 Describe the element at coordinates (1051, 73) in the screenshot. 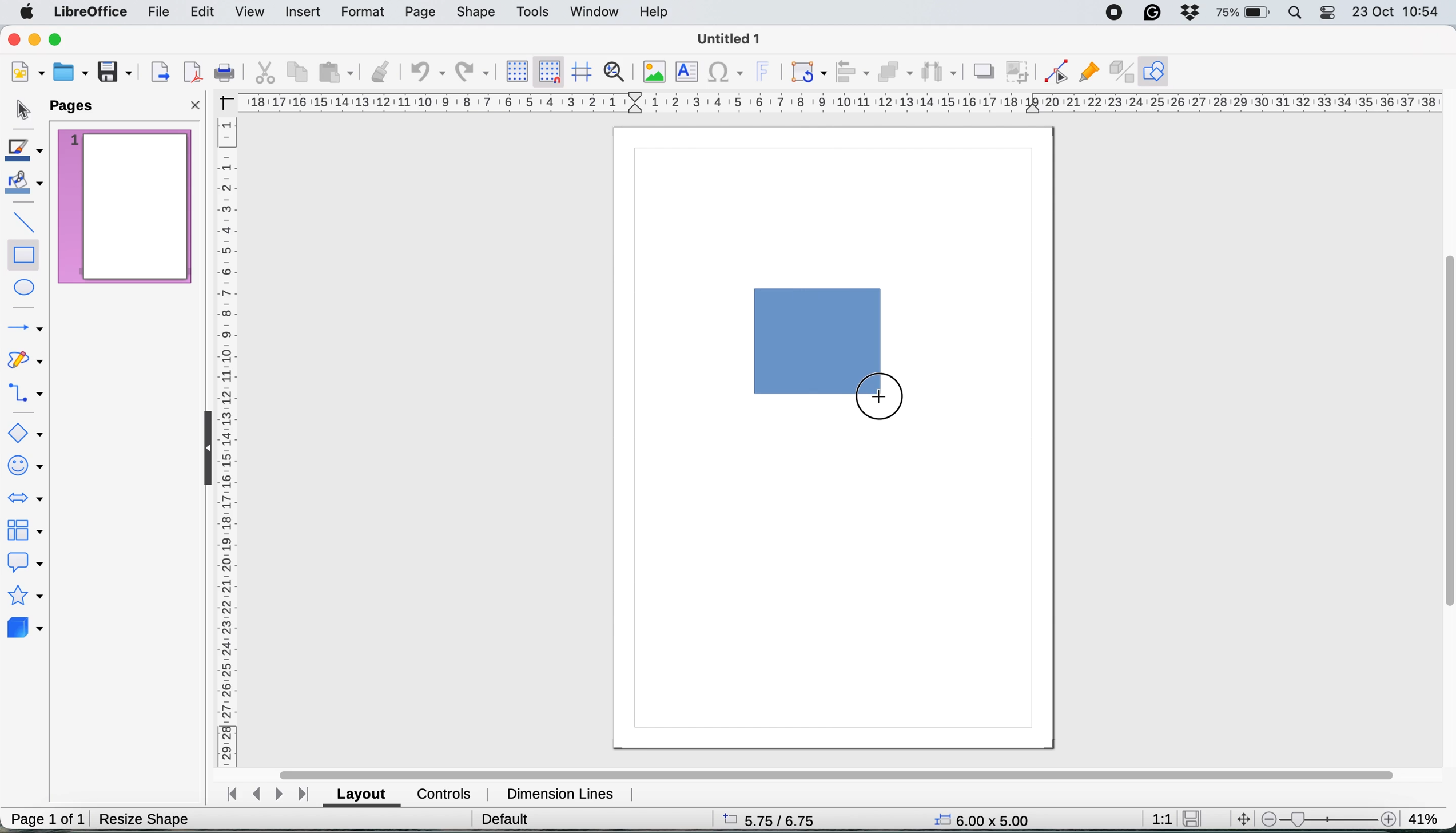

I see `toggle point edit mode` at that location.